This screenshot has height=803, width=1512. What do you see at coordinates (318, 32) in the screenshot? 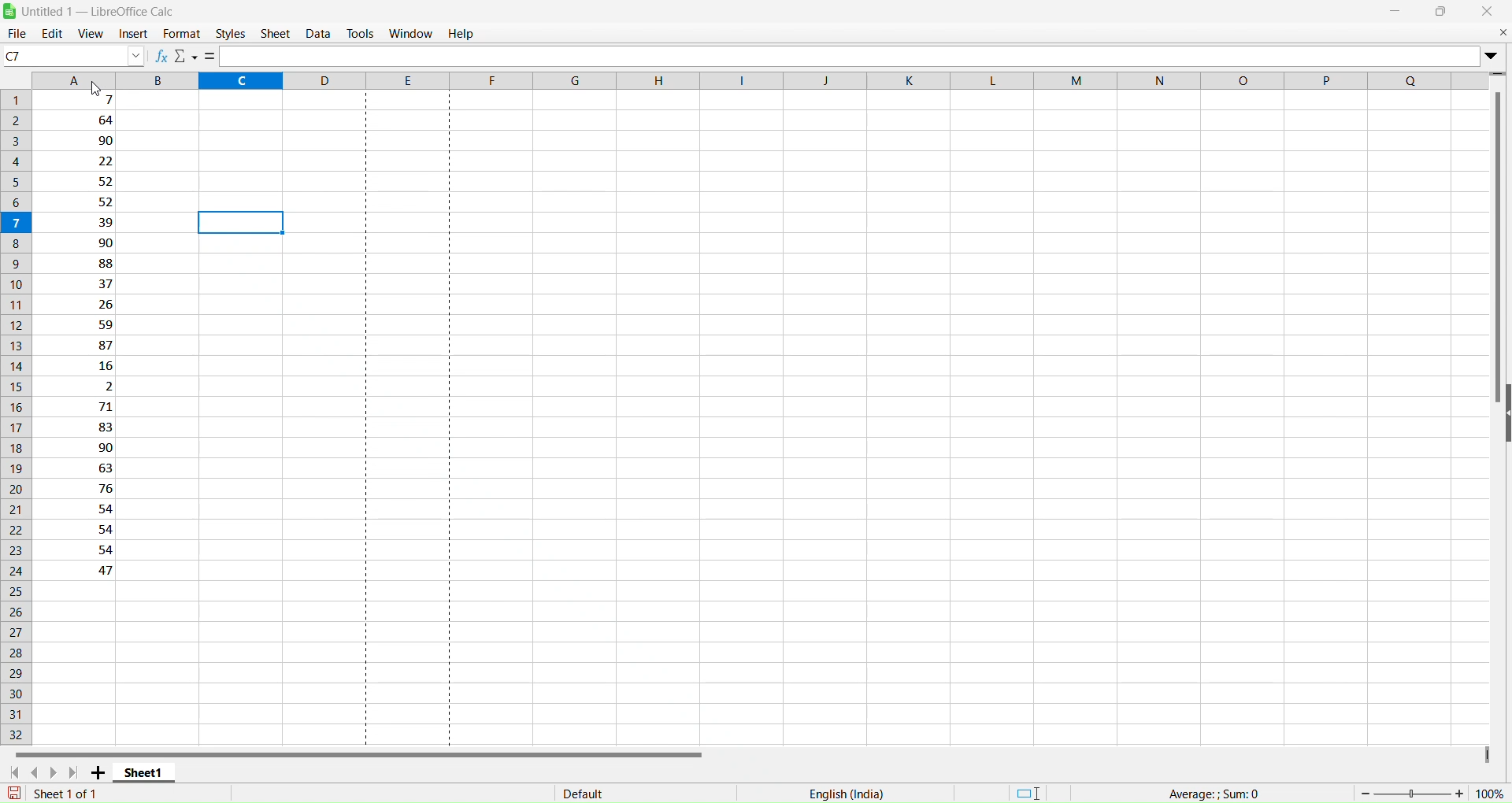
I see `Data` at bounding box center [318, 32].